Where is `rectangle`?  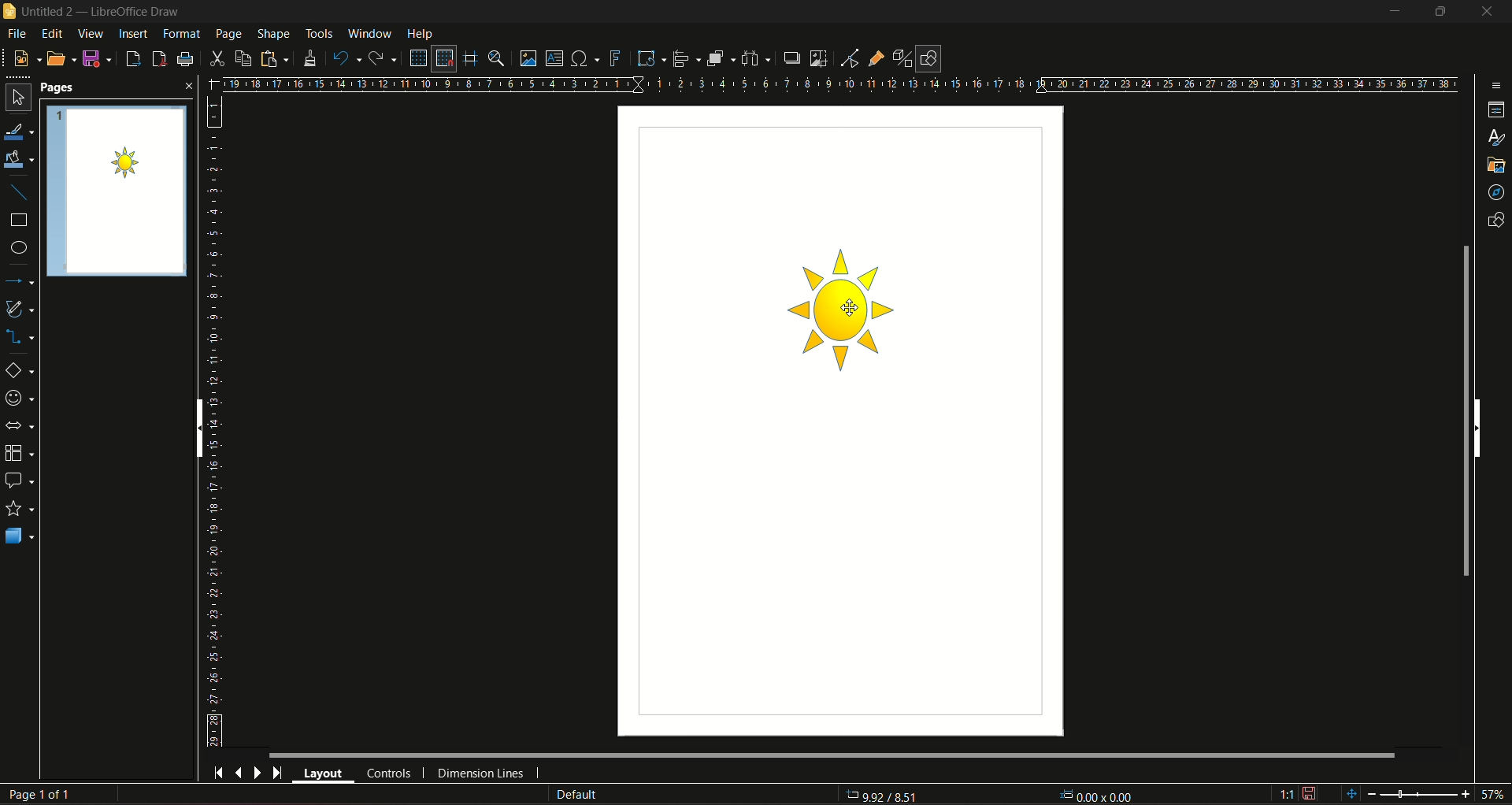 rectangle is located at coordinates (17, 221).